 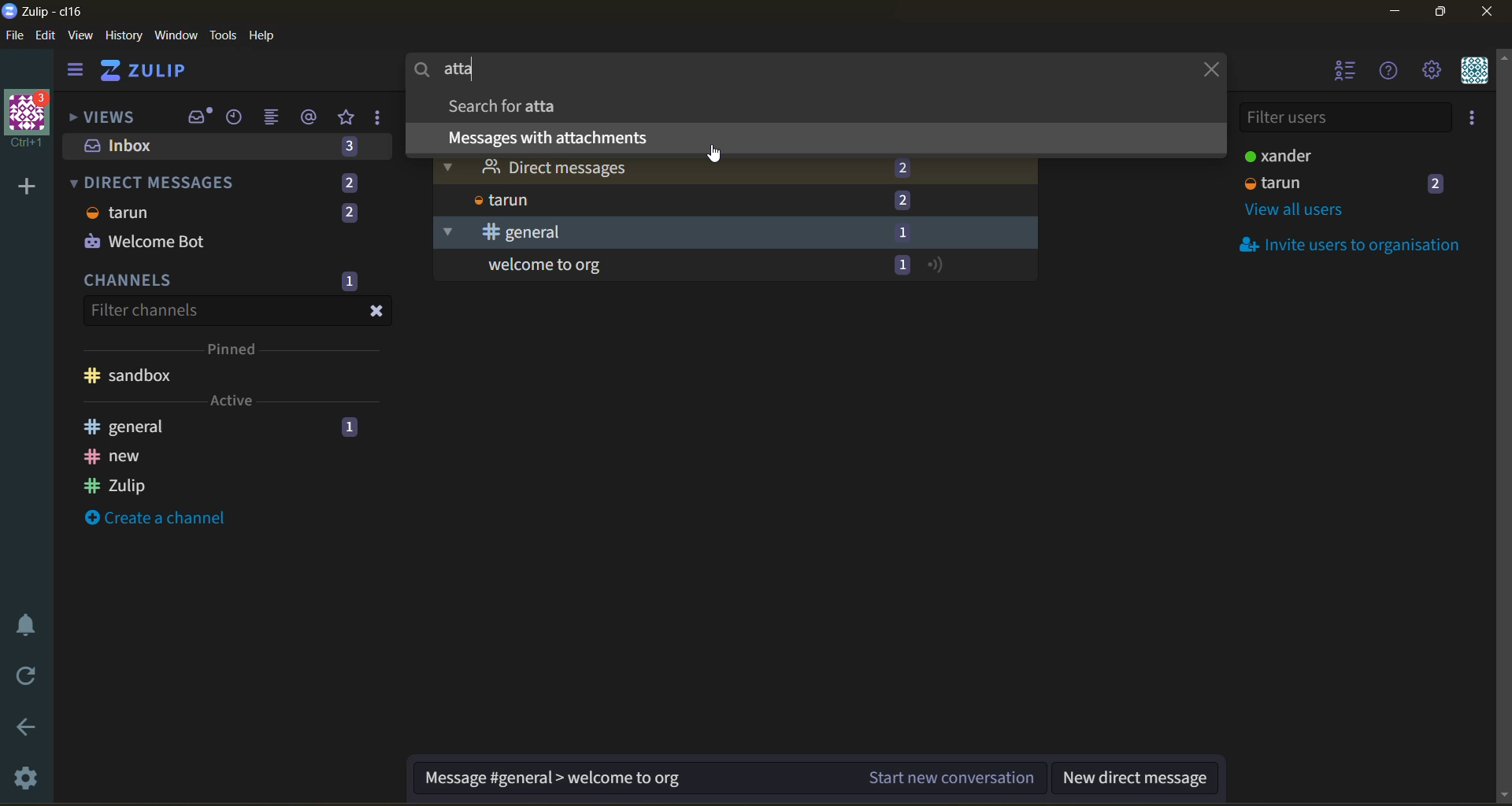 I want to click on combined feed, so click(x=274, y=118).